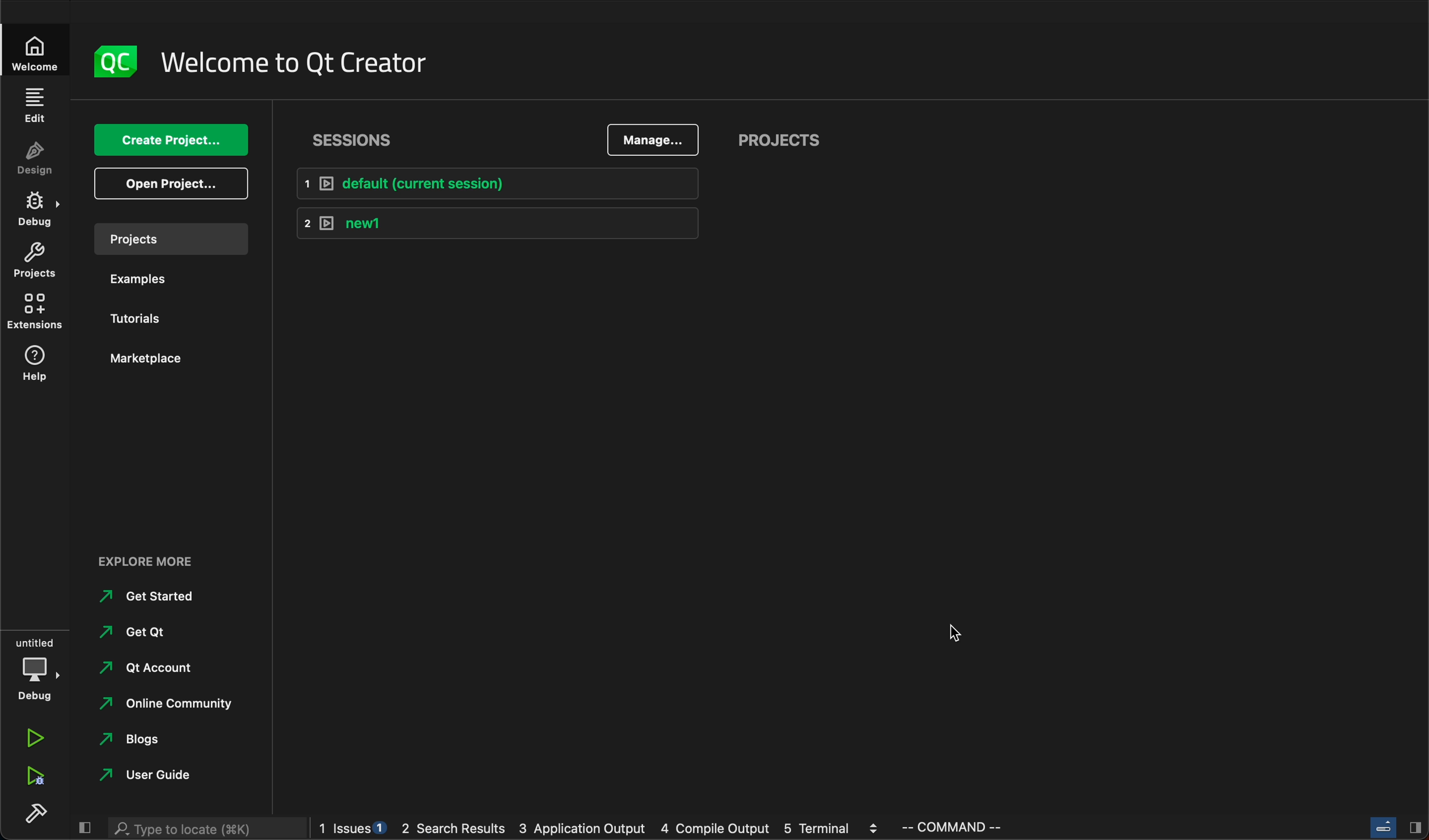  What do you see at coordinates (147, 320) in the screenshot?
I see `tutorials` at bounding box center [147, 320].